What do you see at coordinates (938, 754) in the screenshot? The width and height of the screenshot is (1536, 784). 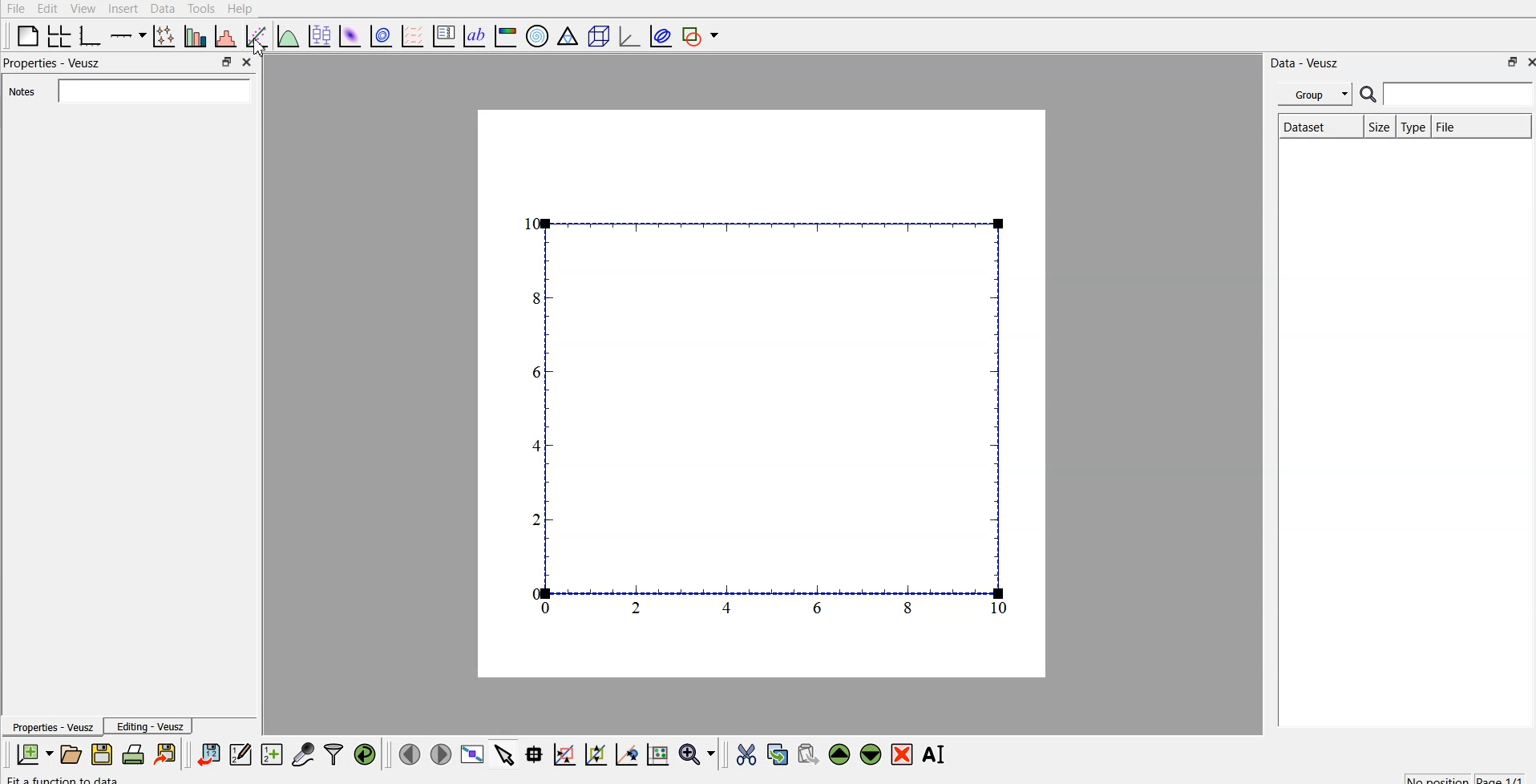 I see `rename the selected widget` at bounding box center [938, 754].